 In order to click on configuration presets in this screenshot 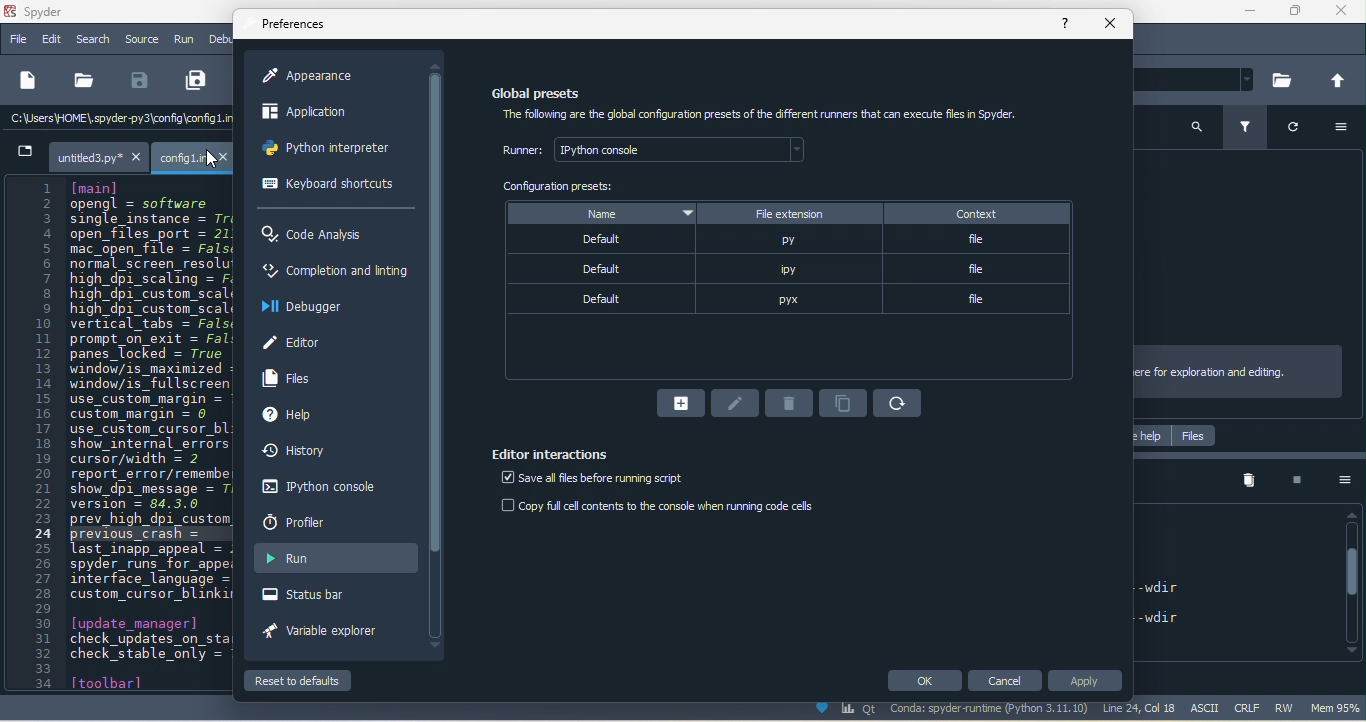, I will do `click(564, 189)`.